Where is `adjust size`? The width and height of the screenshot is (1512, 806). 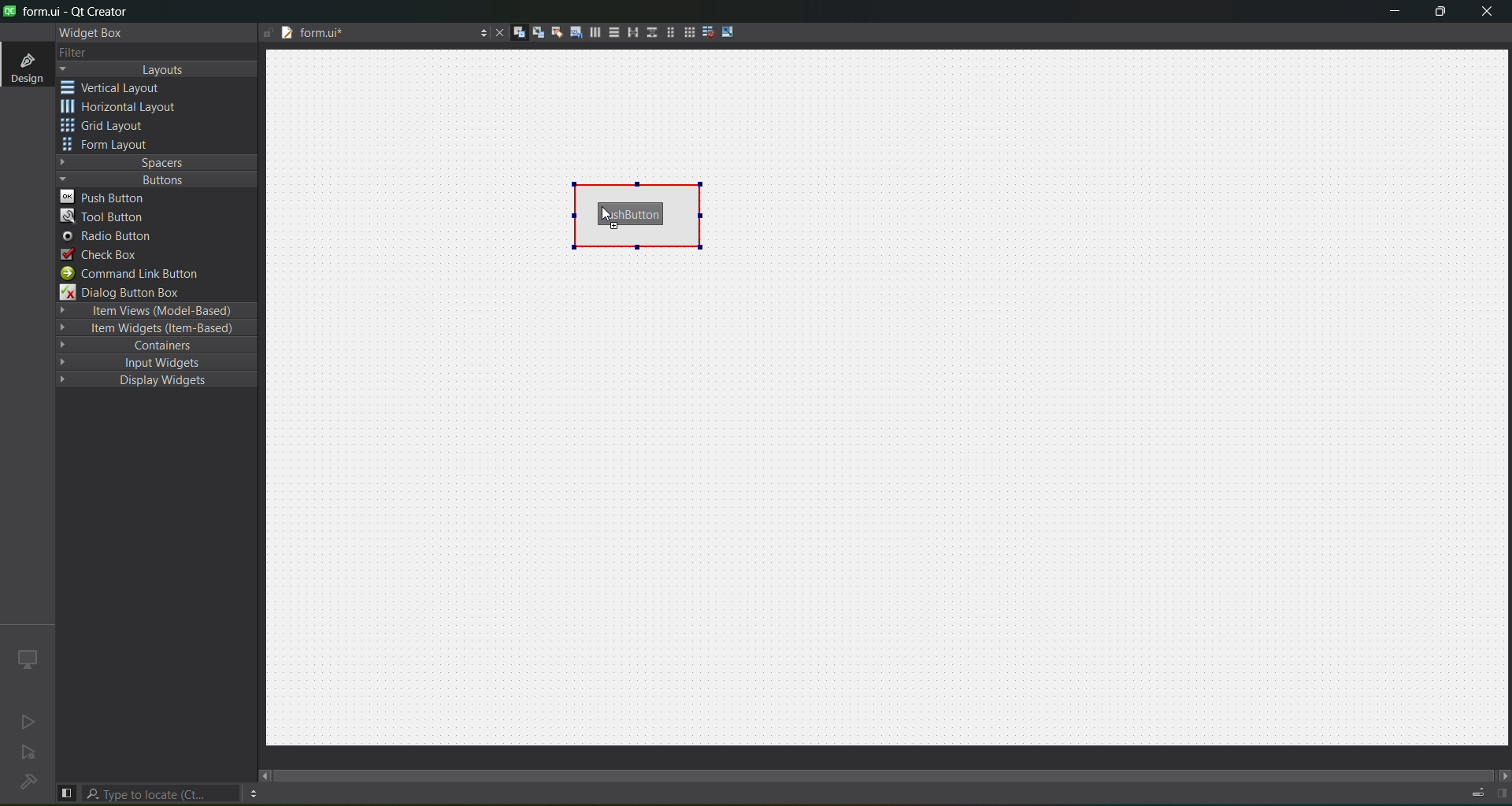 adjust size is located at coordinates (730, 31).